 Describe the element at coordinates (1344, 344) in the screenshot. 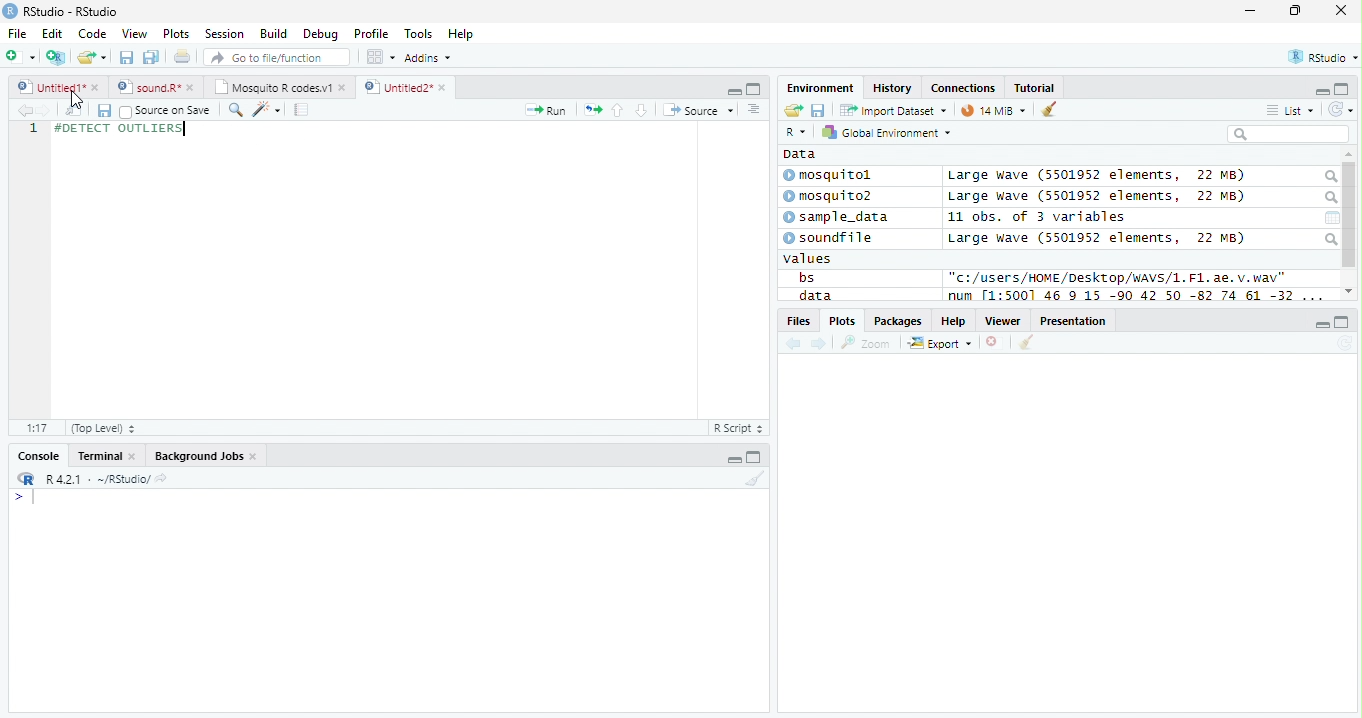

I see `Refresh` at that location.